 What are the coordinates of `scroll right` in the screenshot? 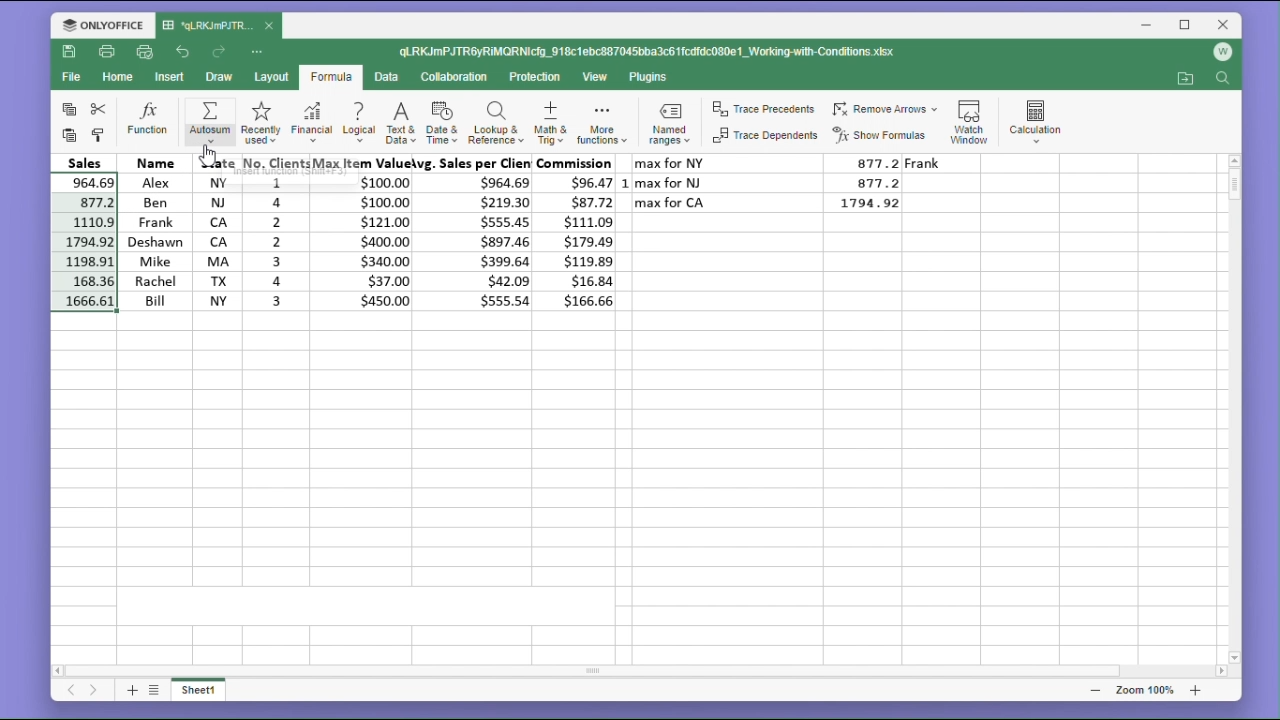 It's located at (1220, 672).